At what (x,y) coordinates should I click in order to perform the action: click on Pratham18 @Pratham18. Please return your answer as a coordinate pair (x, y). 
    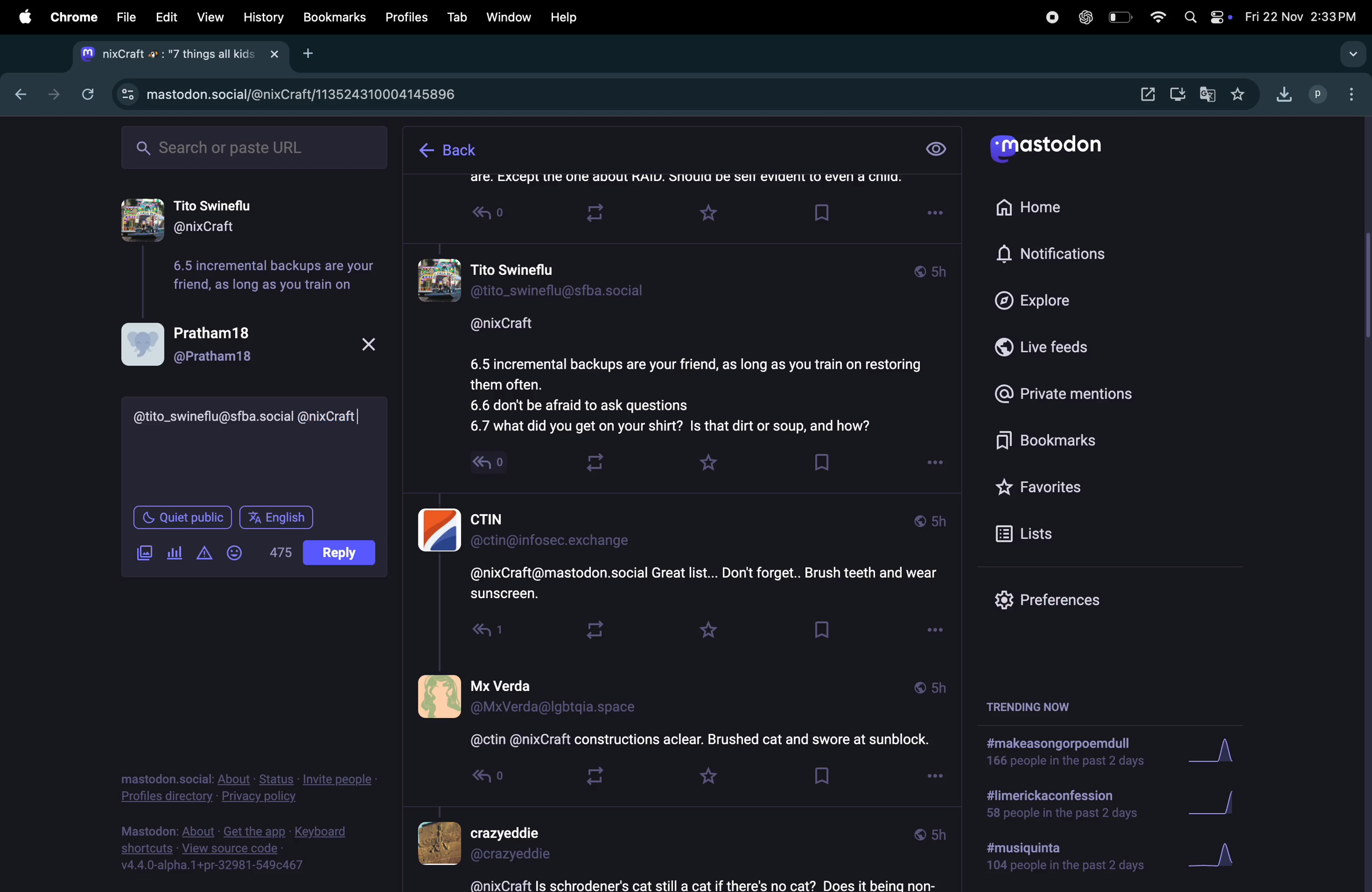
    Looking at the image, I should click on (255, 343).